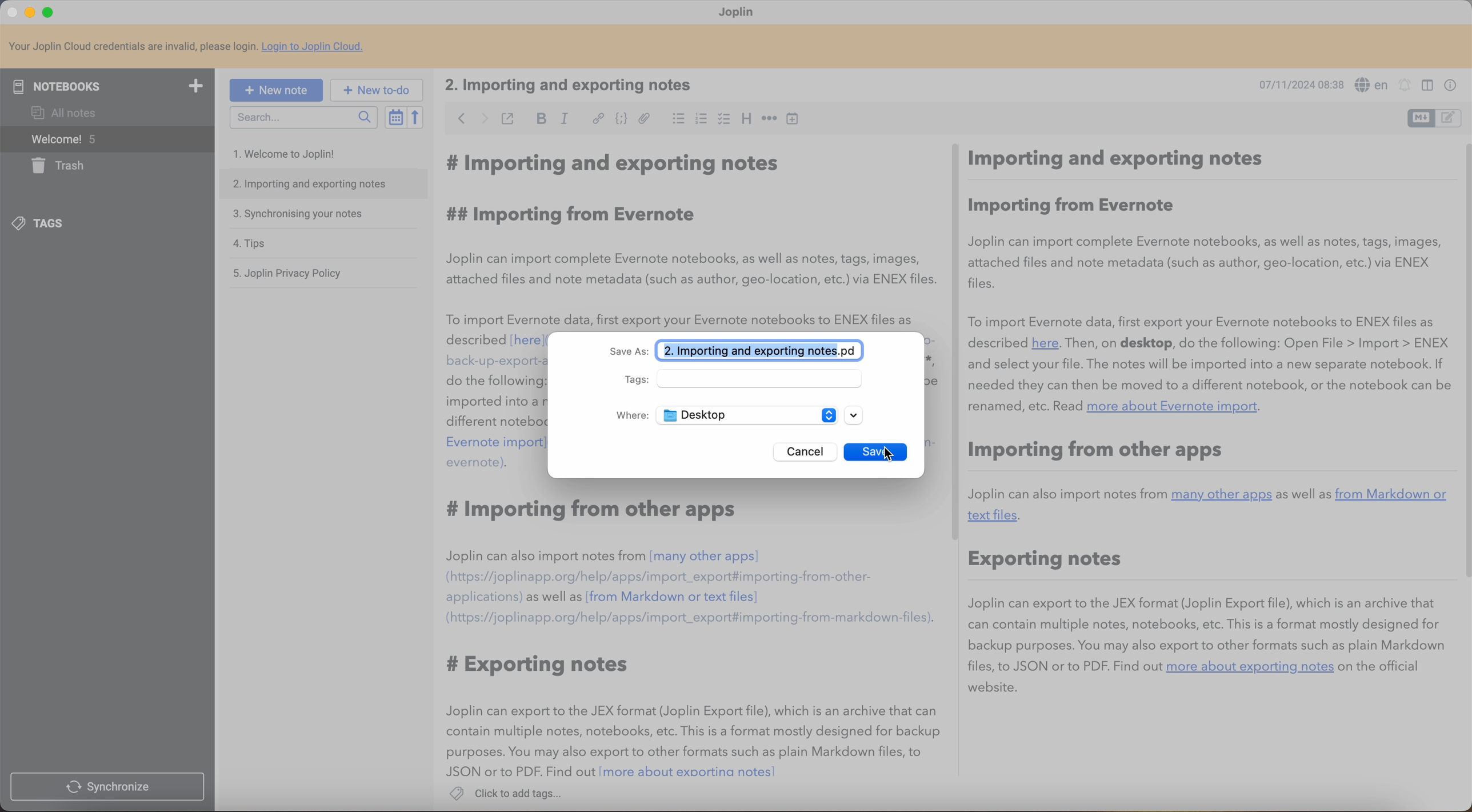  Describe the element at coordinates (746, 120) in the screenshot. I see `heading` at that location.